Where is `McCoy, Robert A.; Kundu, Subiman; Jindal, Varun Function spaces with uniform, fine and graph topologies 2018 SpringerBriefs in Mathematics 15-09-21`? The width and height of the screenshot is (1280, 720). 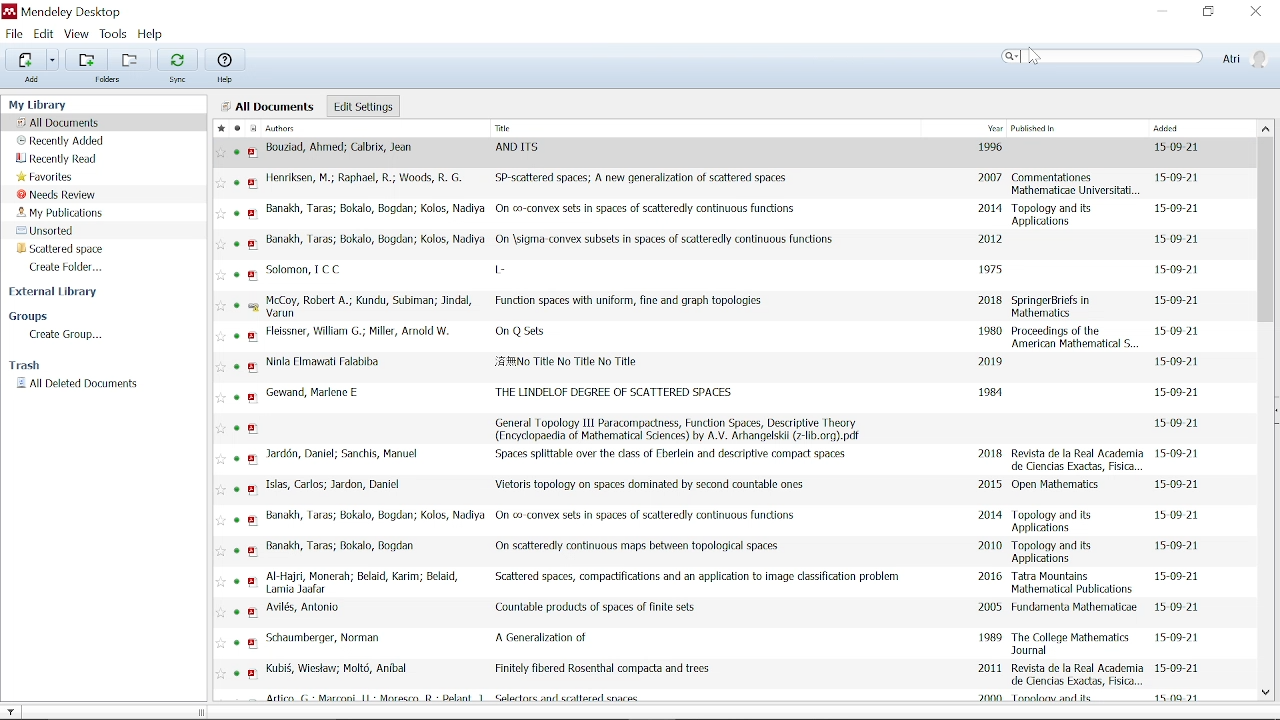
McCoy, Robert A.; Kundu, Subiman; Jindal, Varun Function spaces with uniform, fine and graph topologies 2018 SpringerBriefs in Mathematics 15-09-21 is located at coordinates (727, 306).